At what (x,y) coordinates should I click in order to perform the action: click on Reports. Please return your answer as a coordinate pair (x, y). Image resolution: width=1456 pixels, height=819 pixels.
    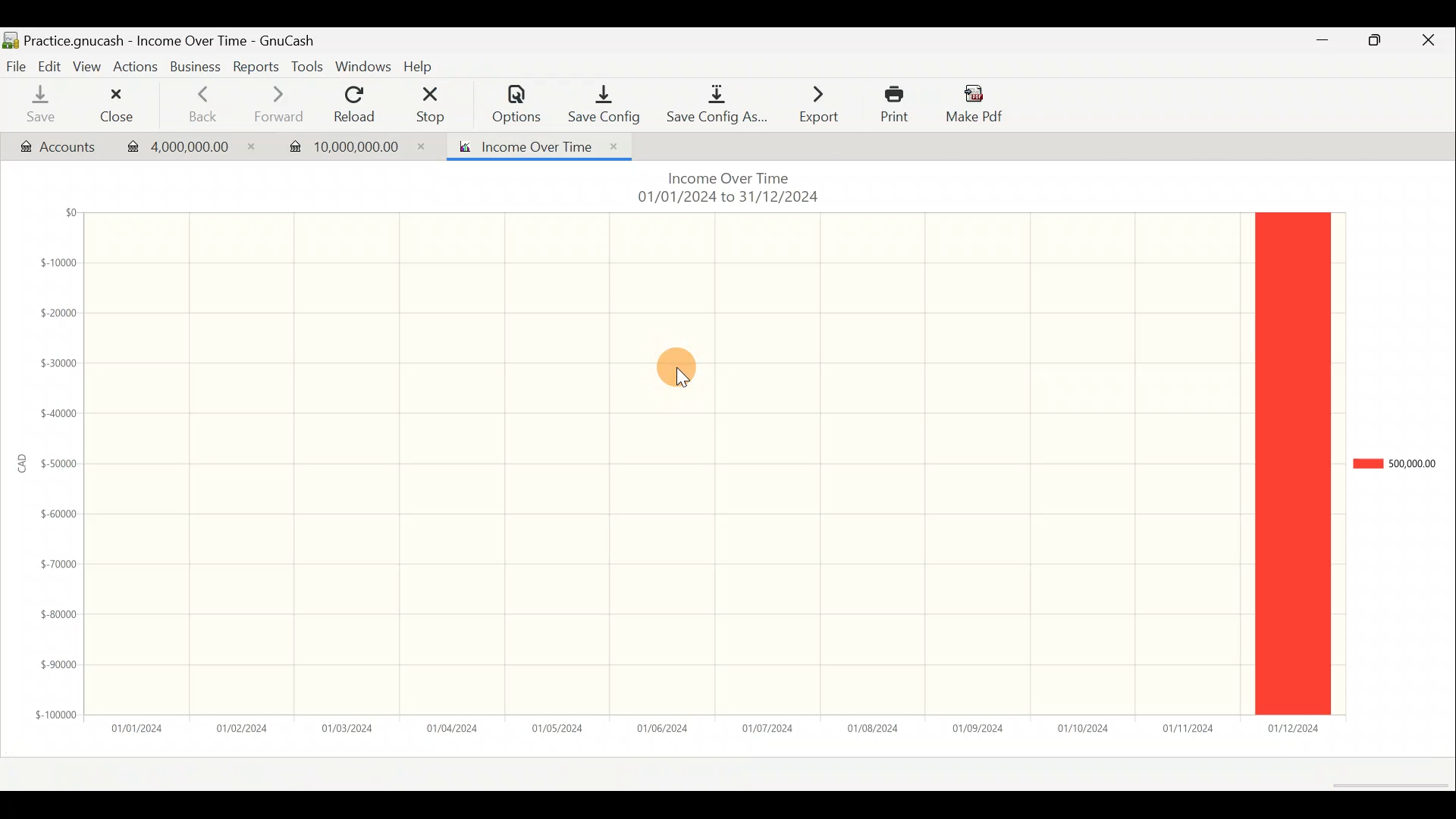
    Looking at the image, I should click on (257, 66).